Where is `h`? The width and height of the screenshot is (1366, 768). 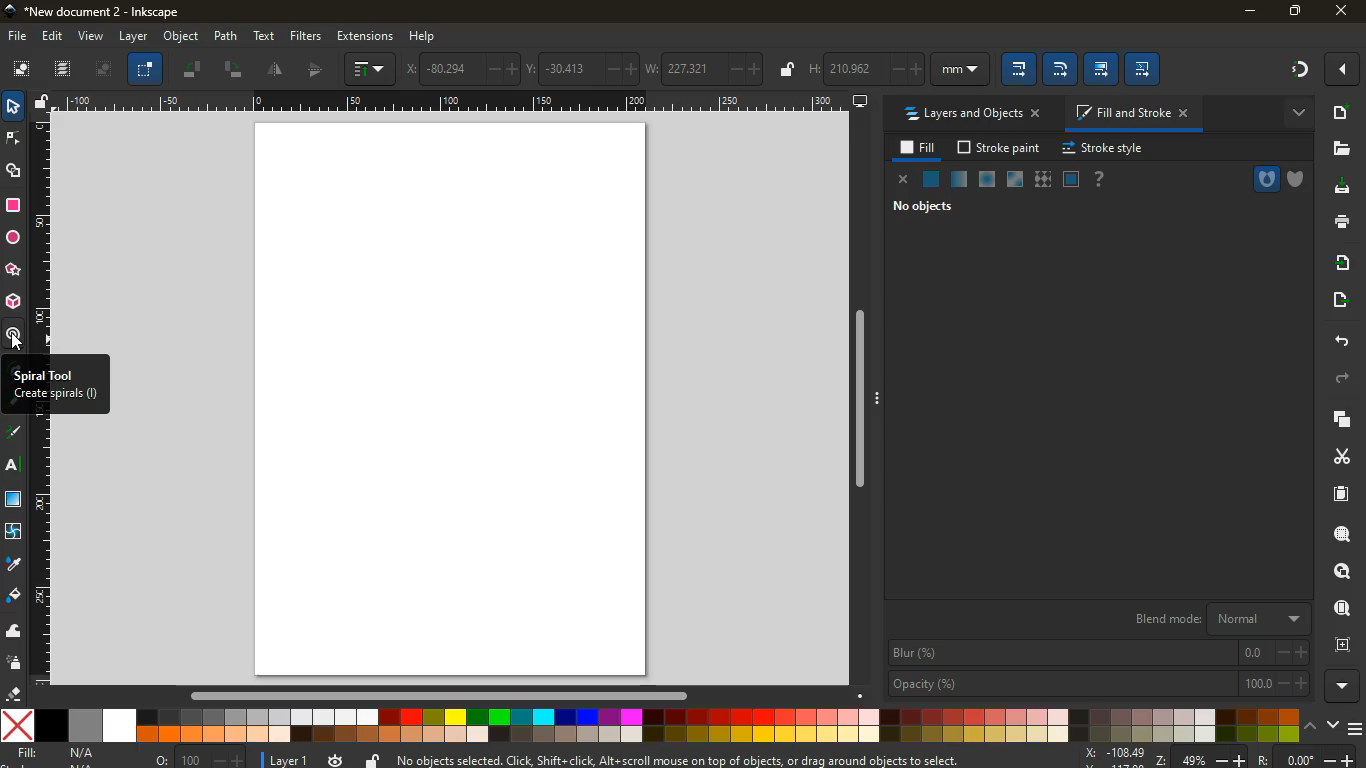 h is located at coordinates (899, 67).